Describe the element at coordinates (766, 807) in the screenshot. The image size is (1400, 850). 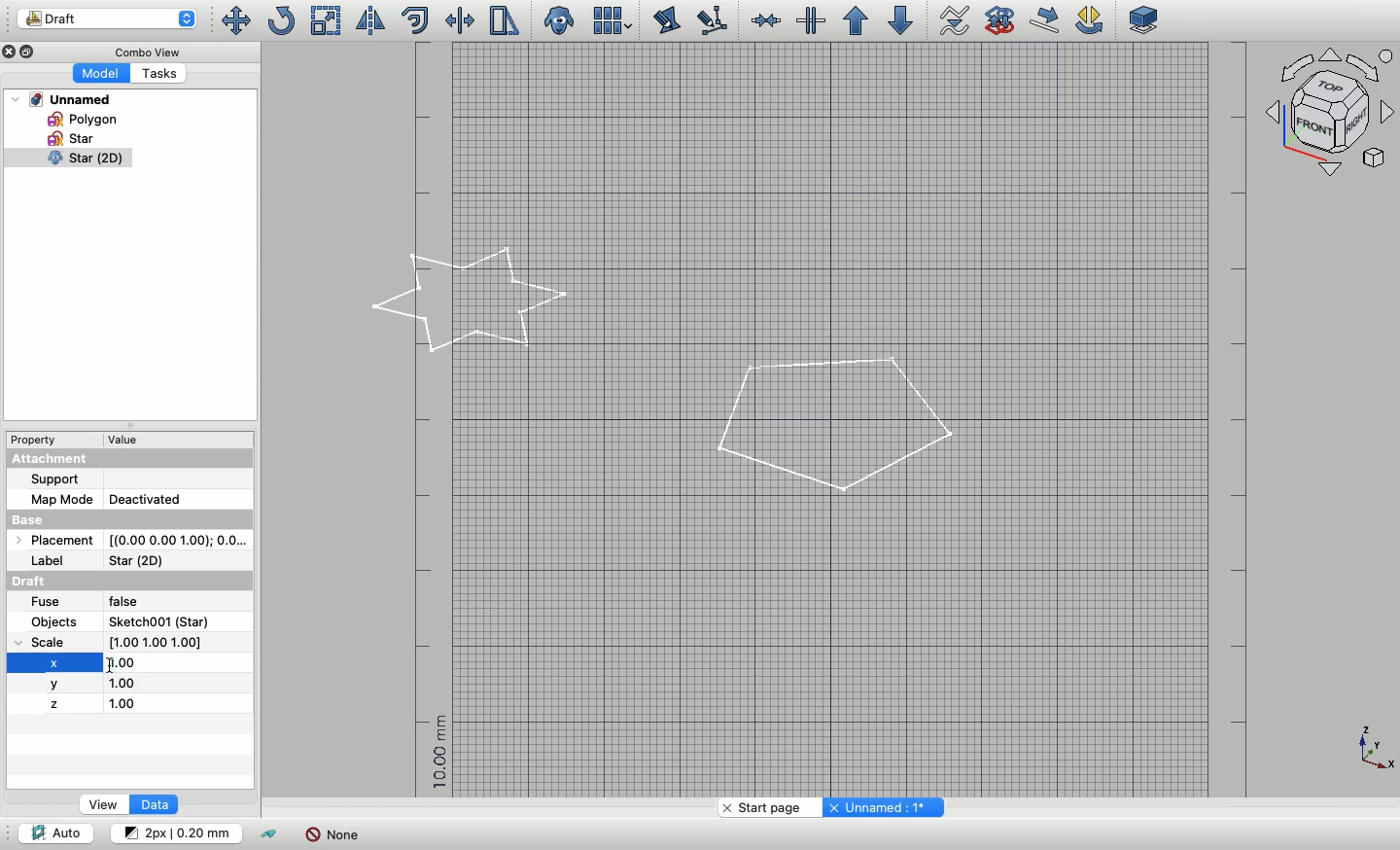
I see `Start page` at that location.